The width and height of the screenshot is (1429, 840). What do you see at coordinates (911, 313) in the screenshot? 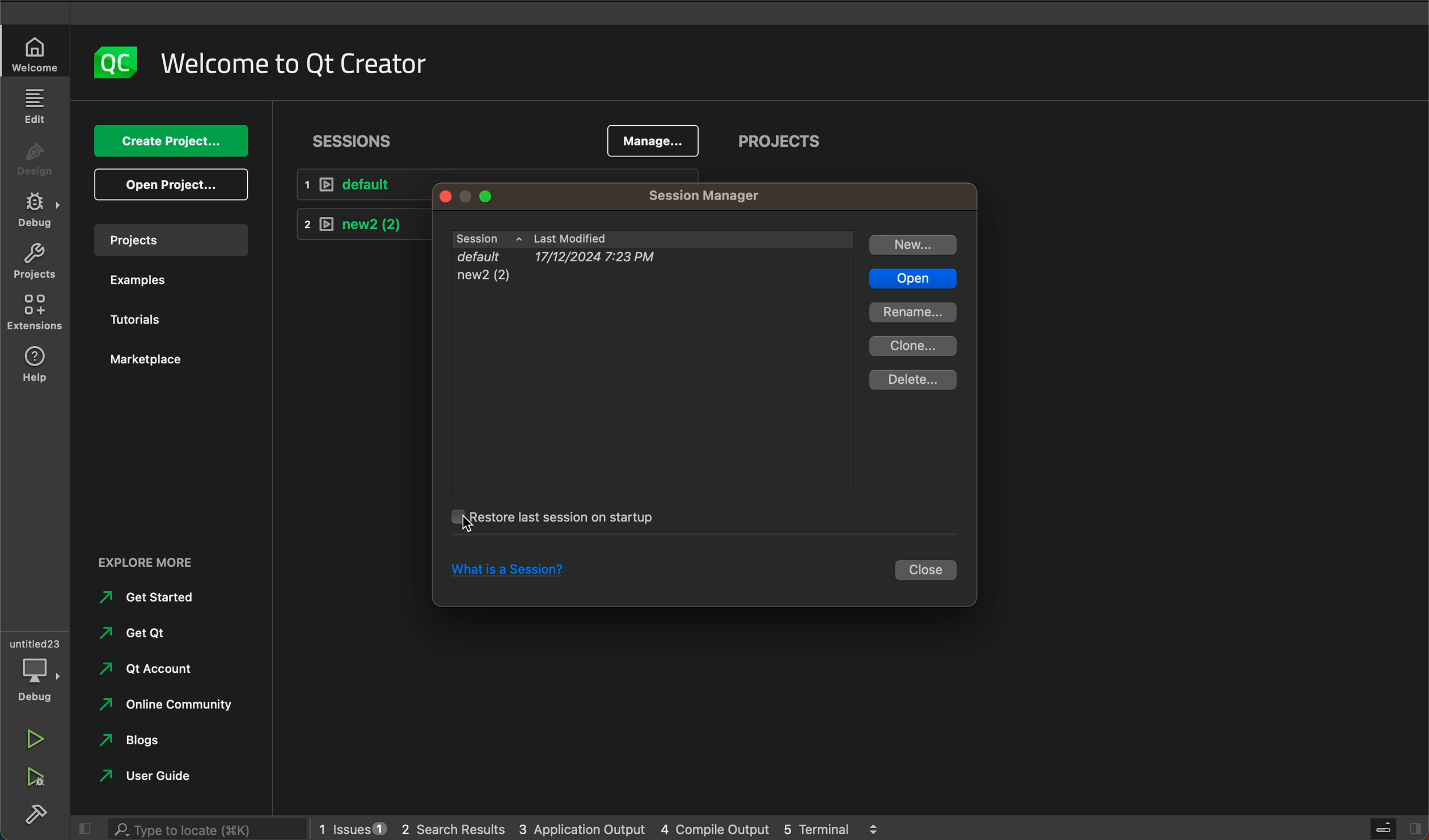
I see `rename ` at bounding box center [911, 313].